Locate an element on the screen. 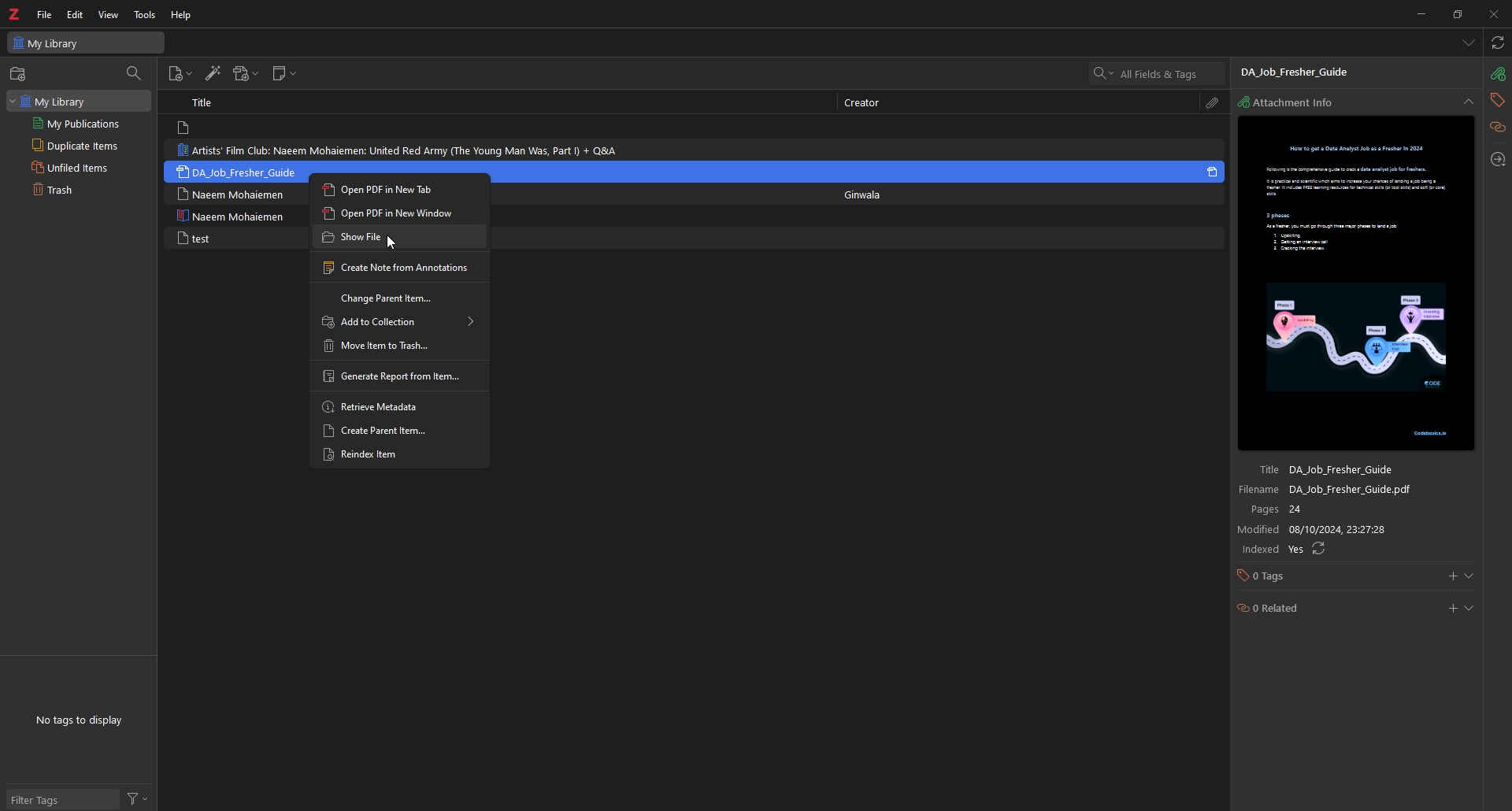 This screenshot has height=811, width=1512. creator is located at coordinates (867, 195).